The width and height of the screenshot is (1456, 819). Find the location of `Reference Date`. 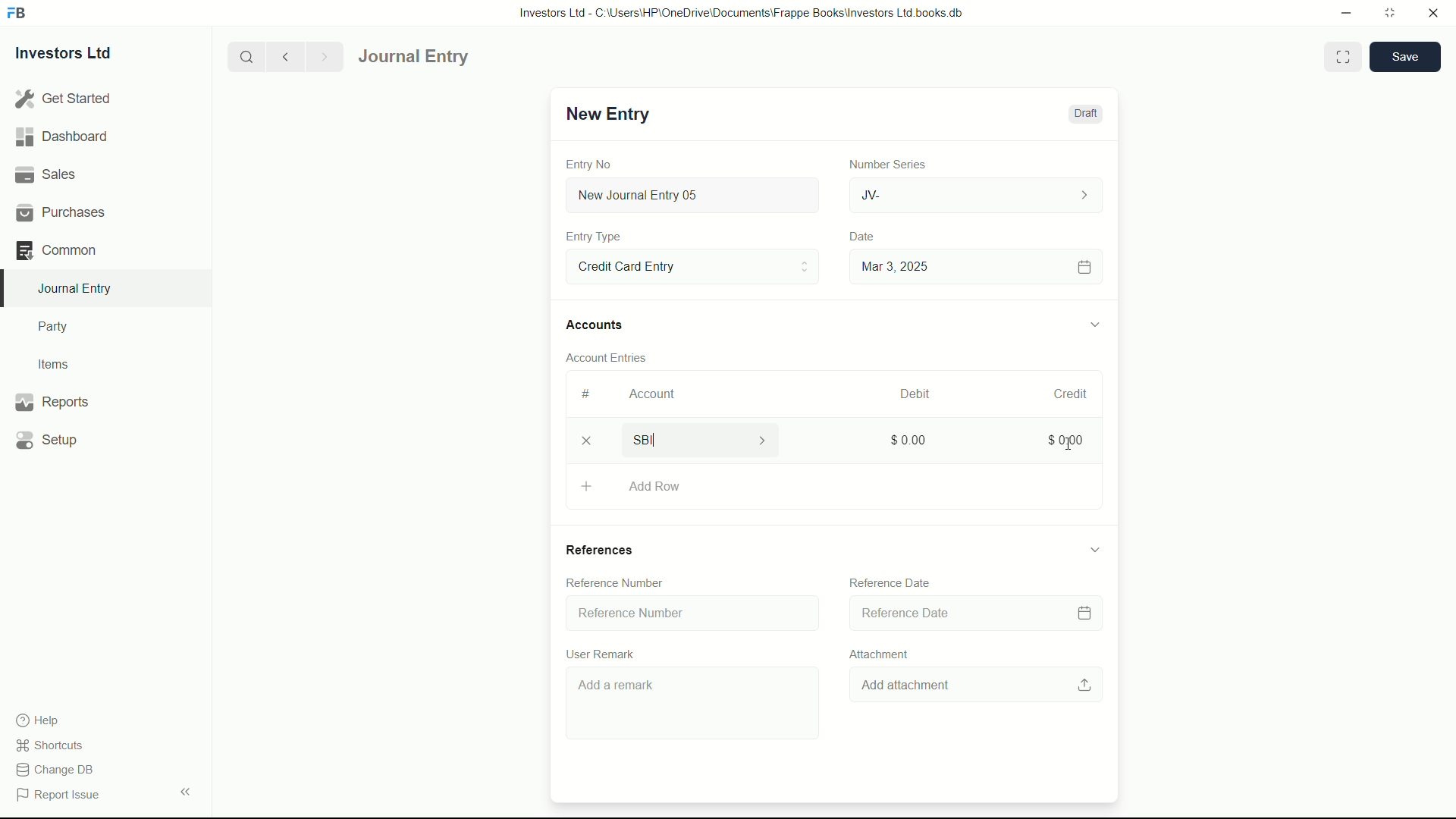

Reference Date is located at coordinates (974, 612).